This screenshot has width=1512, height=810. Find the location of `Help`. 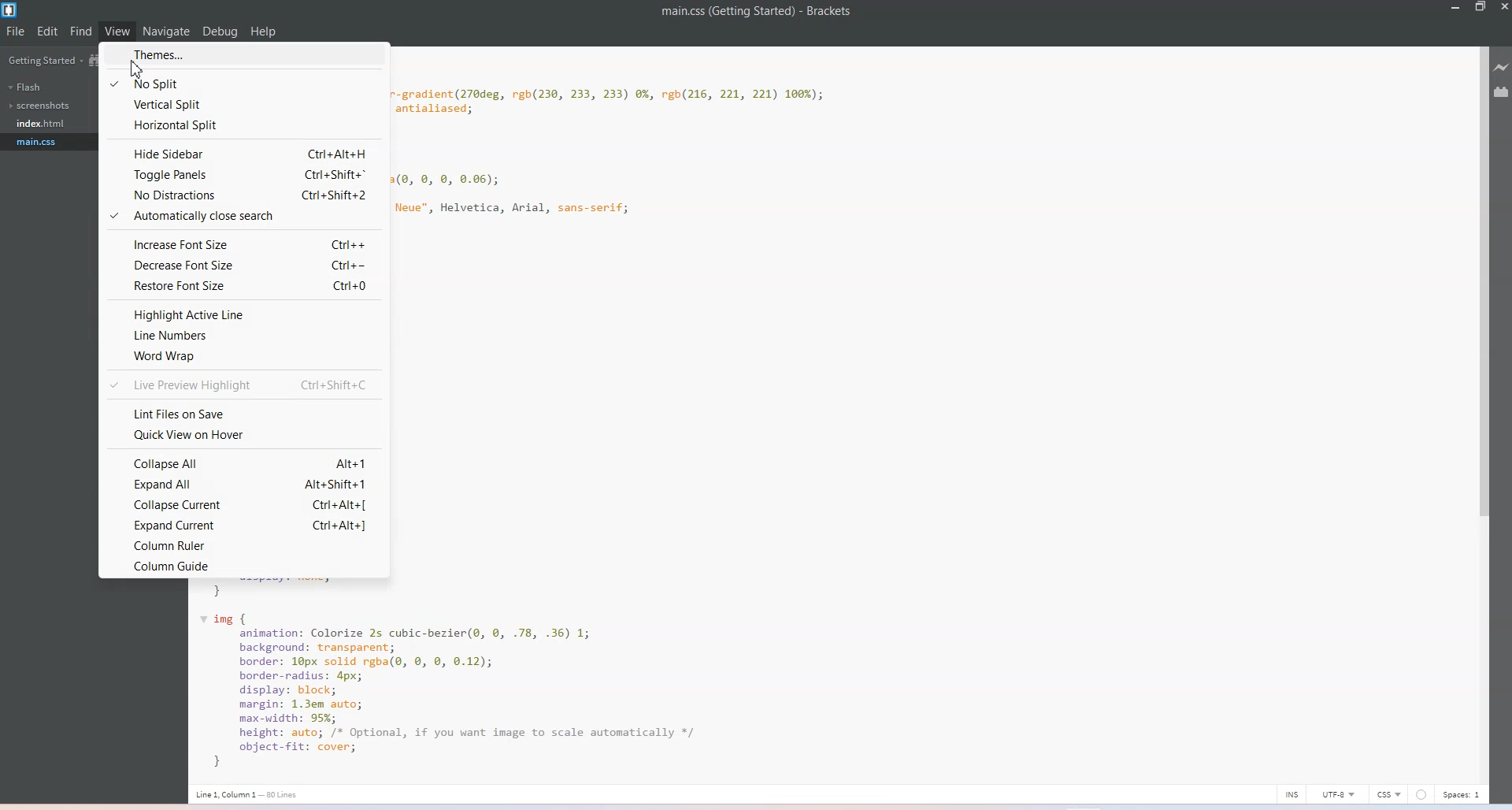

Help is located at coordinates (264, 32).